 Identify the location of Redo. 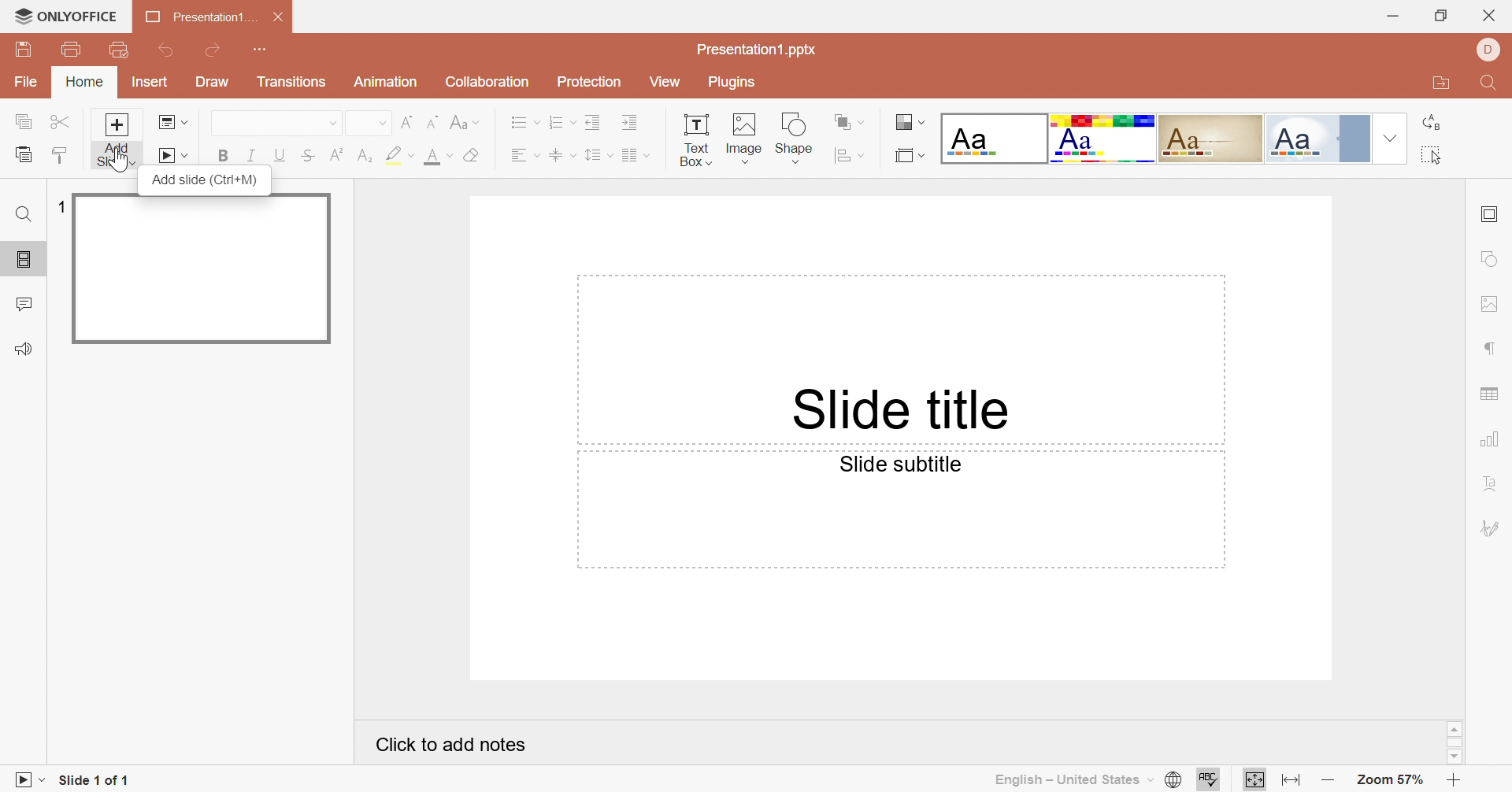
(213, 50).